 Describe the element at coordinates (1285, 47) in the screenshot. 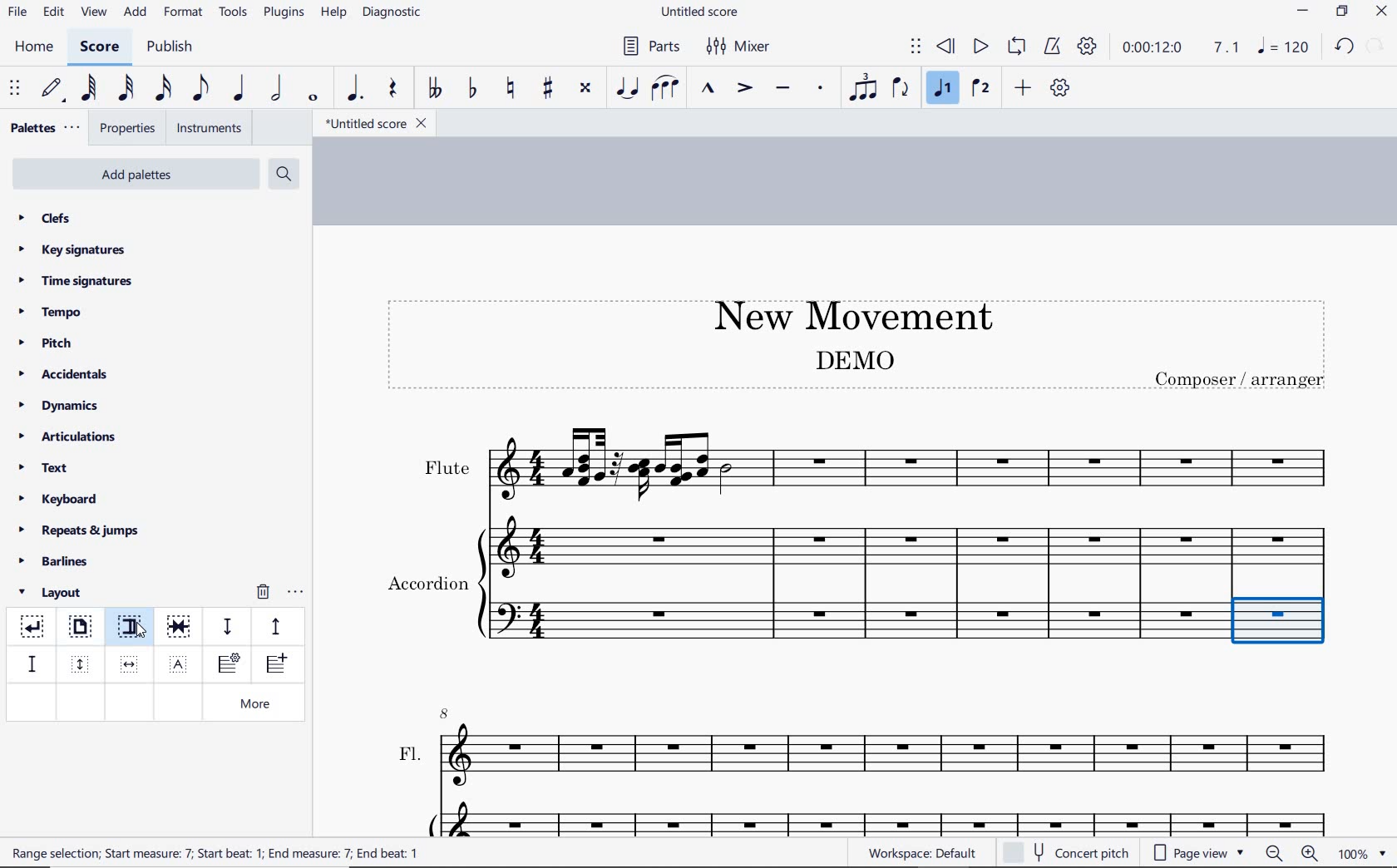

I see `NOTE` at that location.